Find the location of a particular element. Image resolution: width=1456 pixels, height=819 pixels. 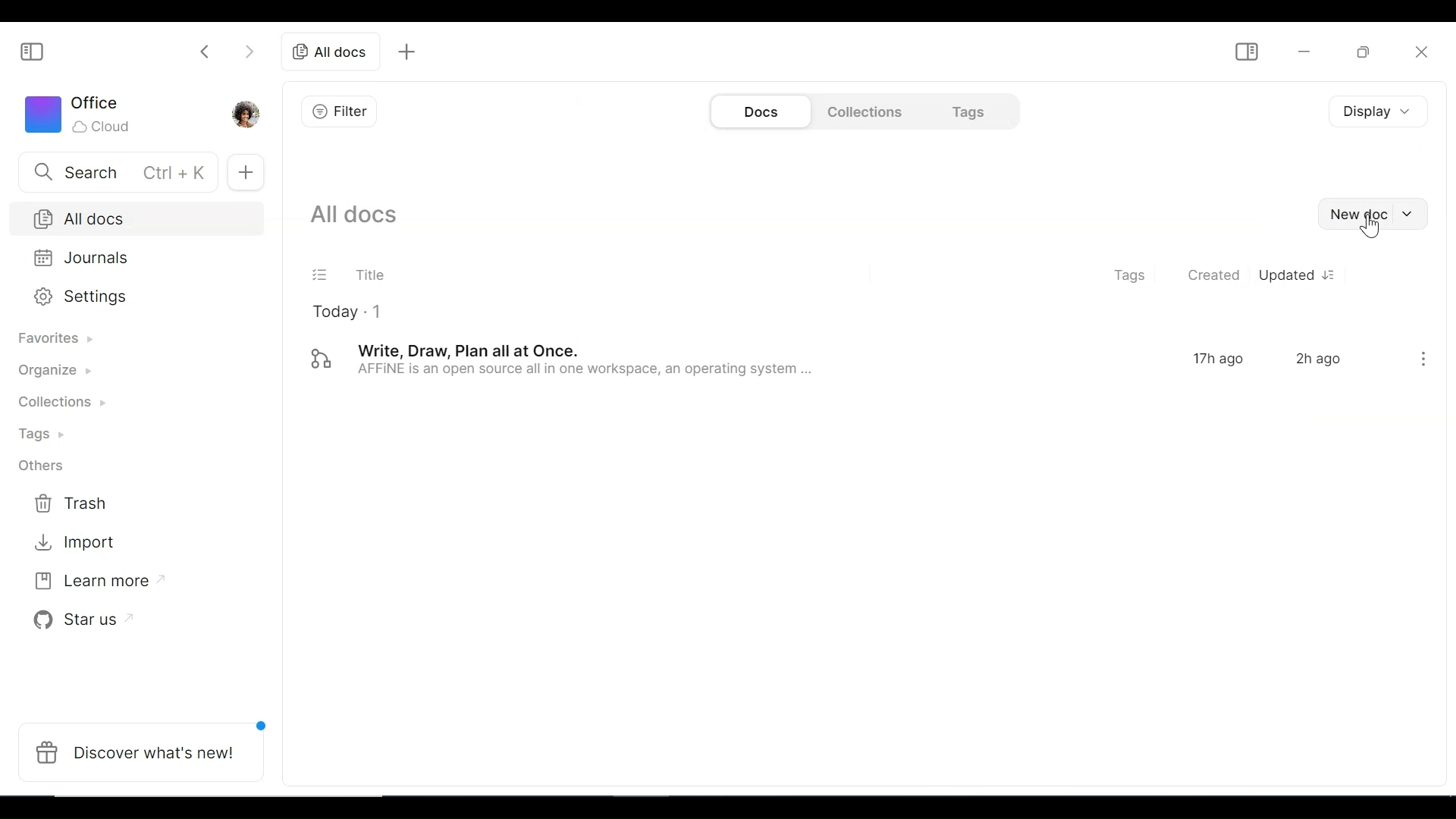

Settings is located at coordinates (128, 297).